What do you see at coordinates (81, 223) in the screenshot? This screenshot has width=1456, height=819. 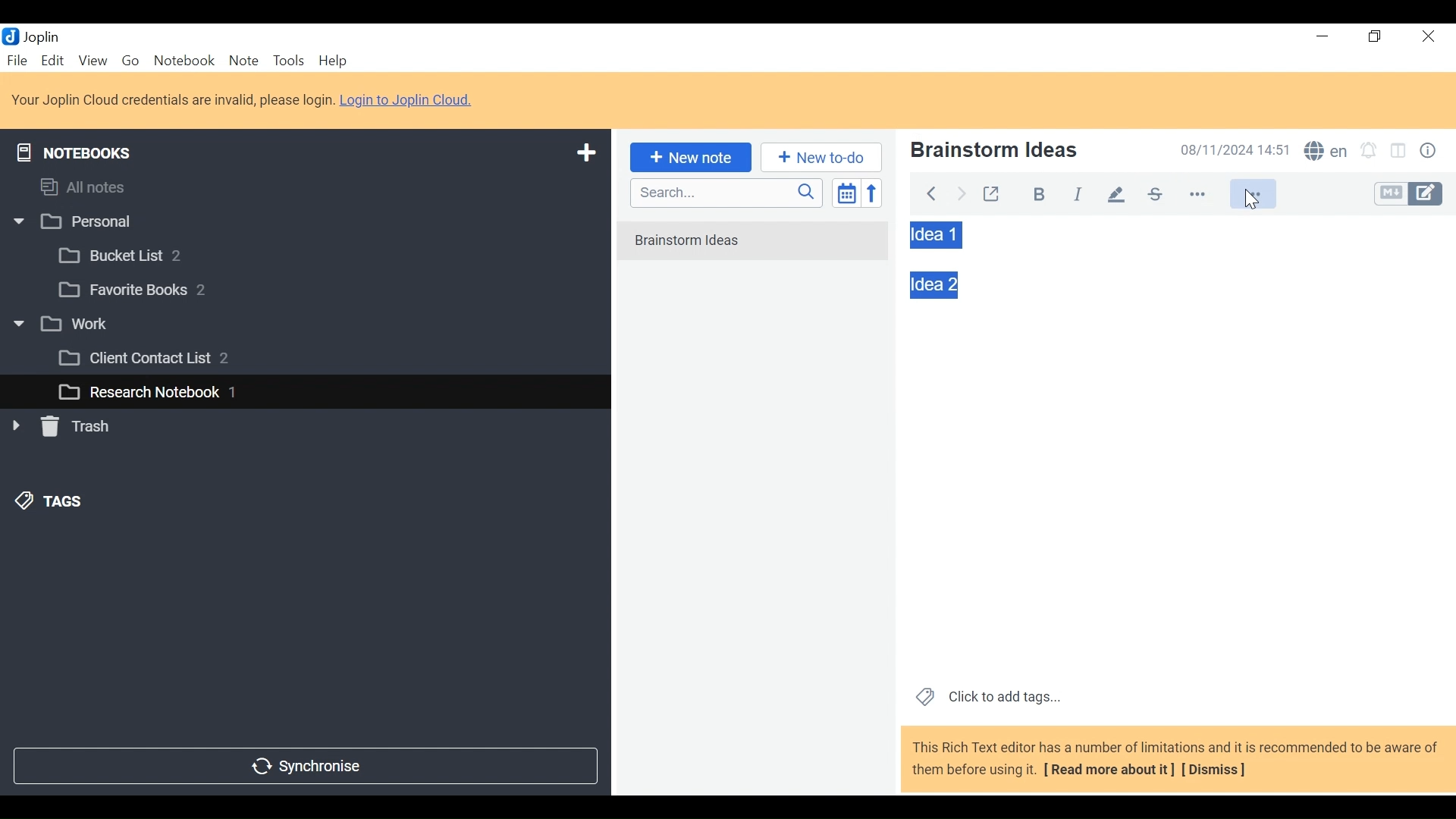 I see `w |] Personal` at bounding box center [81, 223].